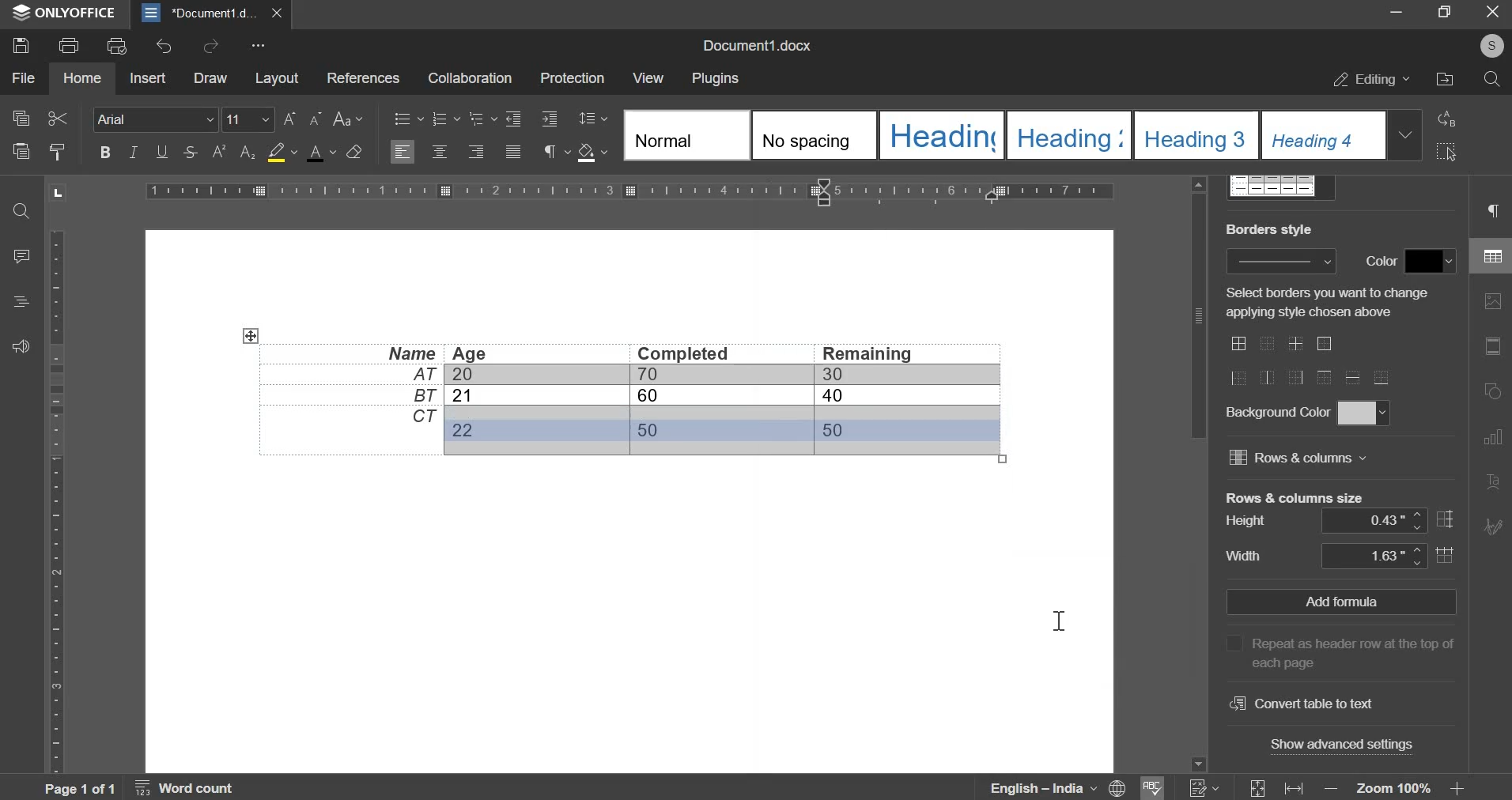  Describe the element at coordinates (1386, 520) in the screenshot. I see `row height` at that location.